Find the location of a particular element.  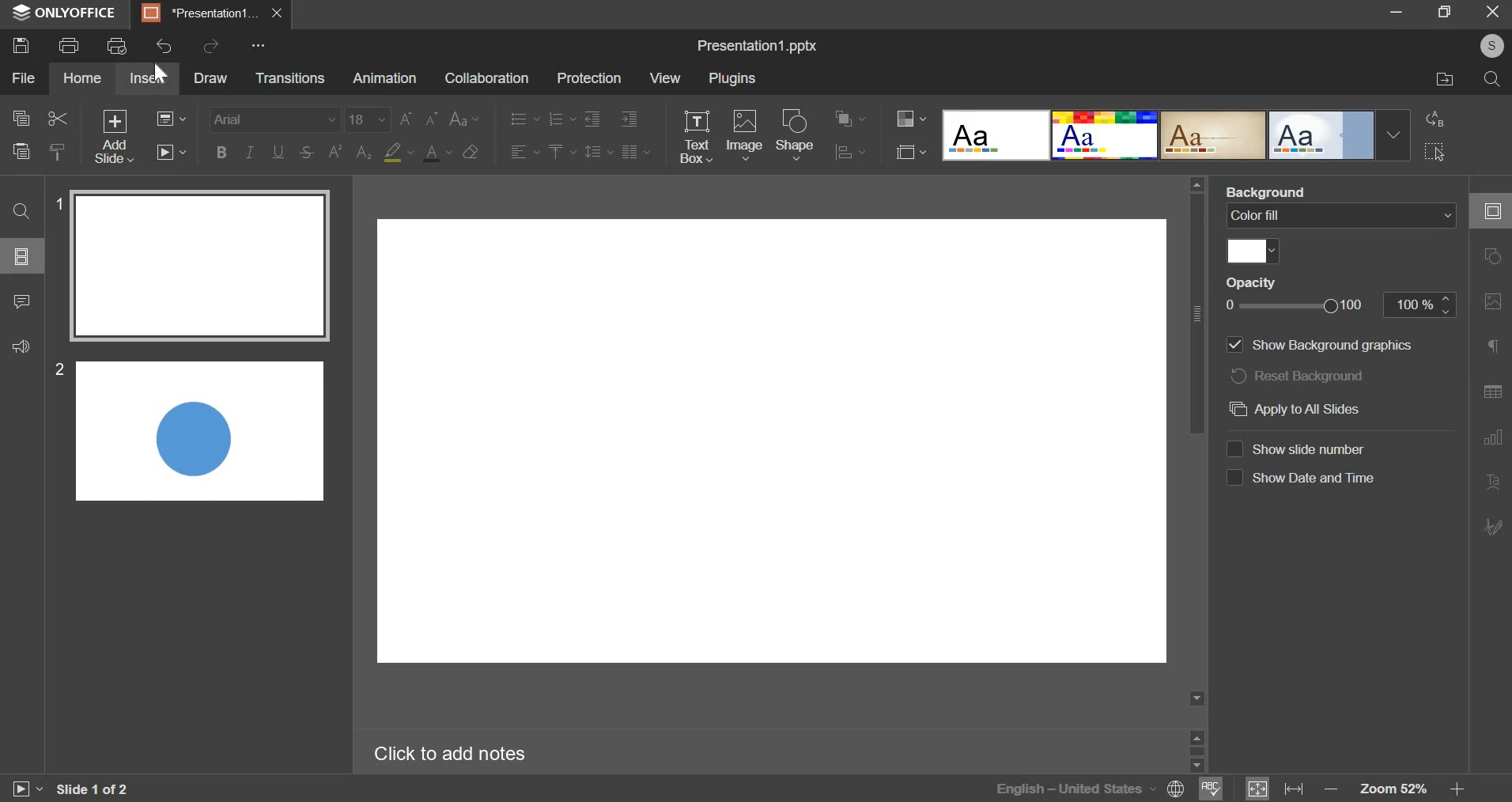

Align shapes is located at coordinates (848, 153).